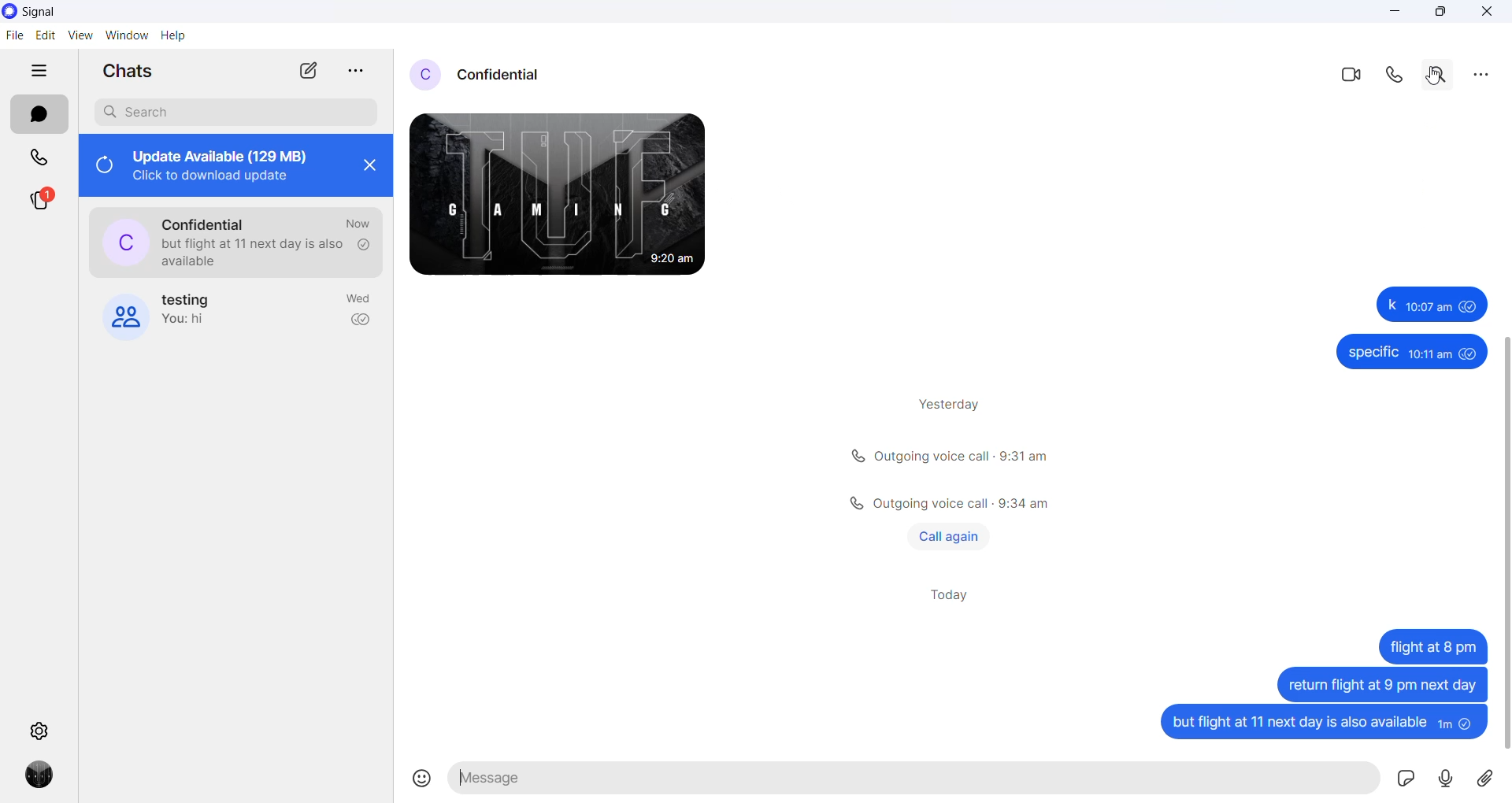  I want to click on profile, so click(41, 776).